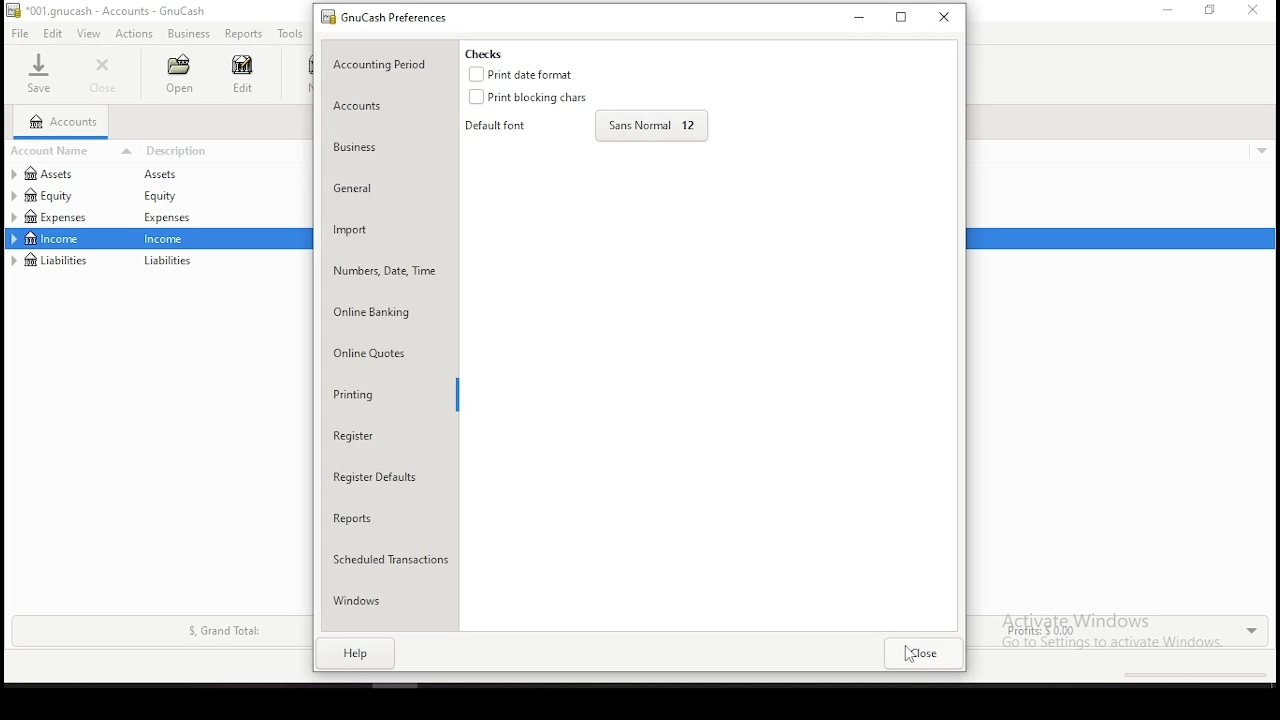 The height and width of the screenshot is (720, 1280). I want to click on register, so click(372, 437).